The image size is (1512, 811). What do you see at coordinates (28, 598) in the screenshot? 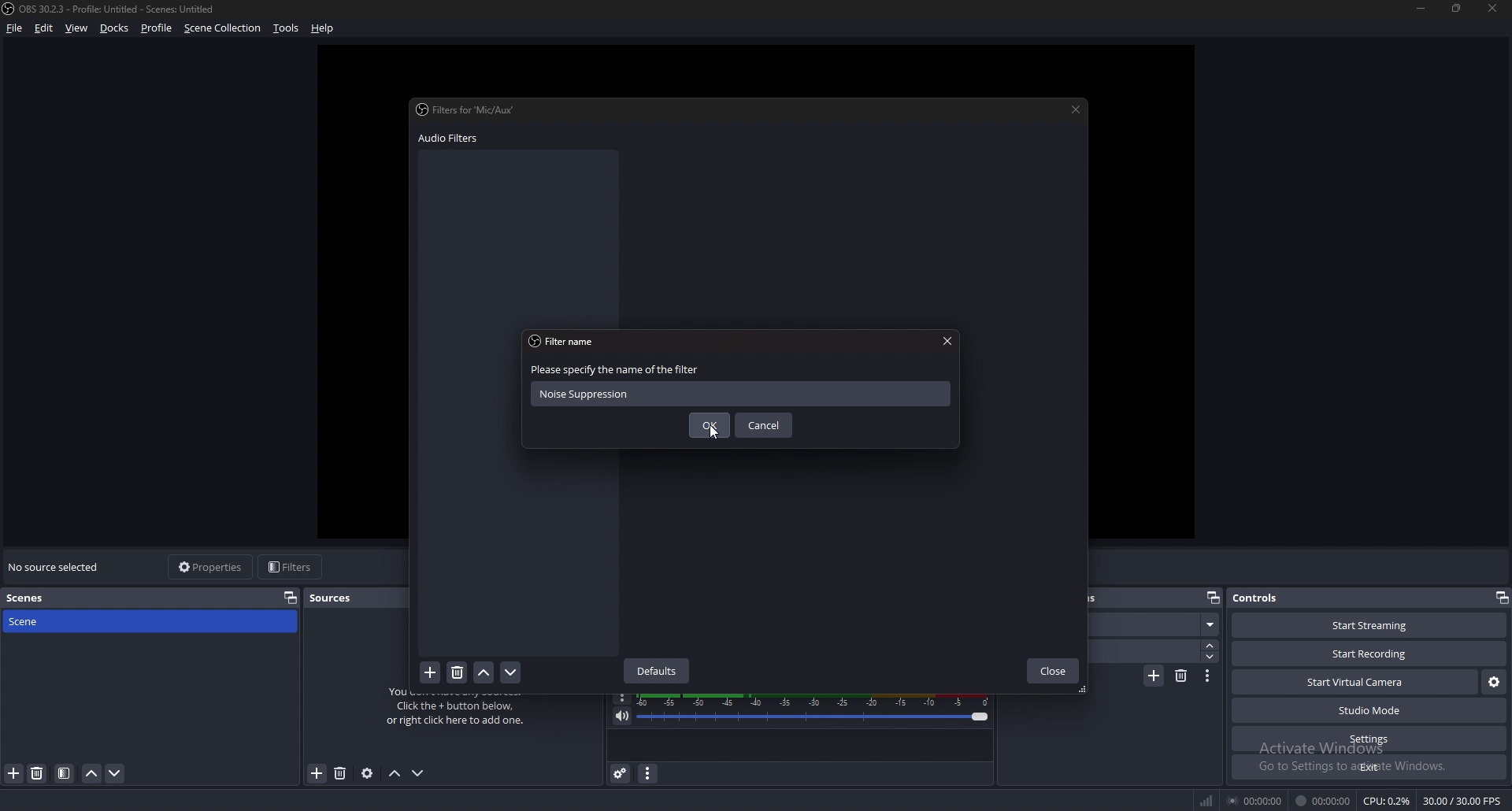
I see `scenes` at bounding box center [28, 598].